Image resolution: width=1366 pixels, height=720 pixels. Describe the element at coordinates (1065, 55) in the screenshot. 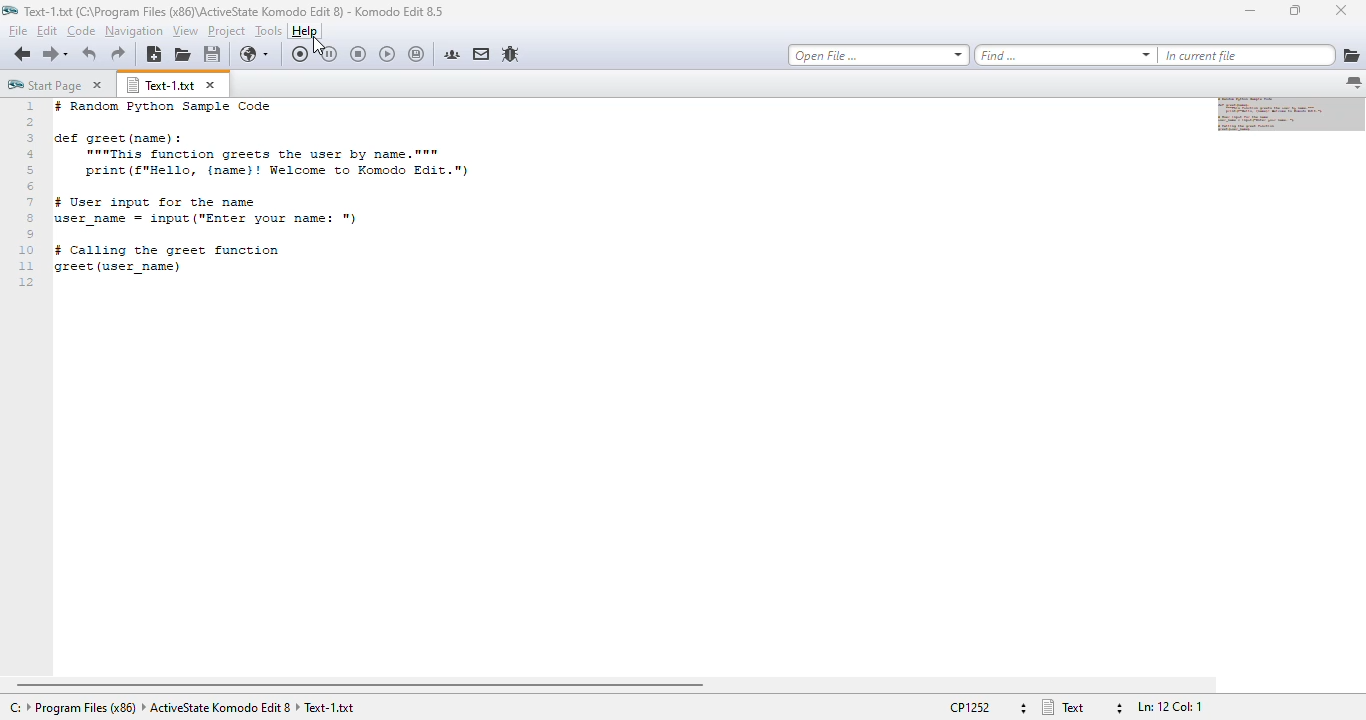

I see `find` at that location.